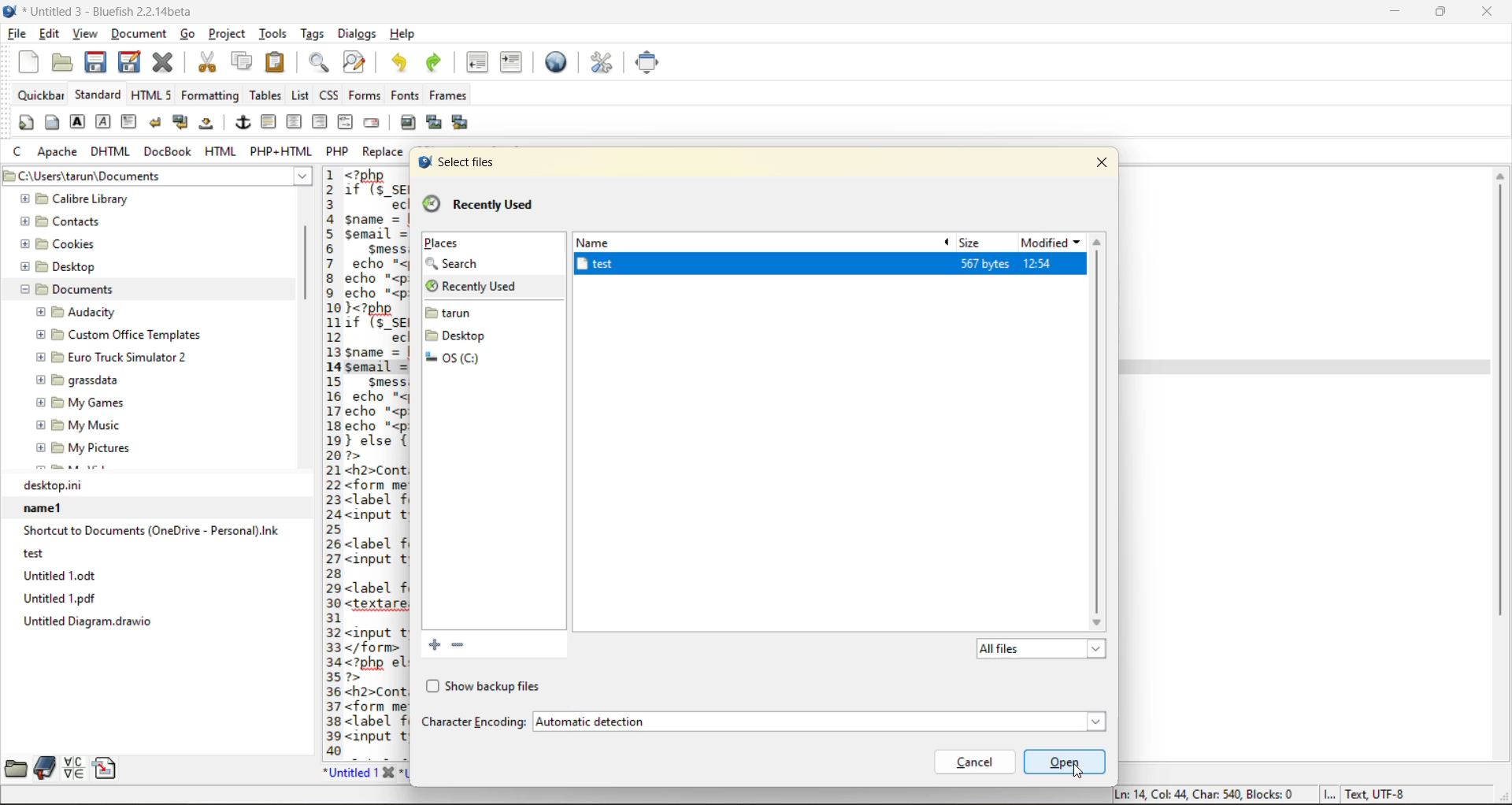 Image resolution: width=1512 pixels, height=805 pixels. What do you see at coordinates (264, 95) in the screenshot?
I see `tables` at bounding box center [264, 95].